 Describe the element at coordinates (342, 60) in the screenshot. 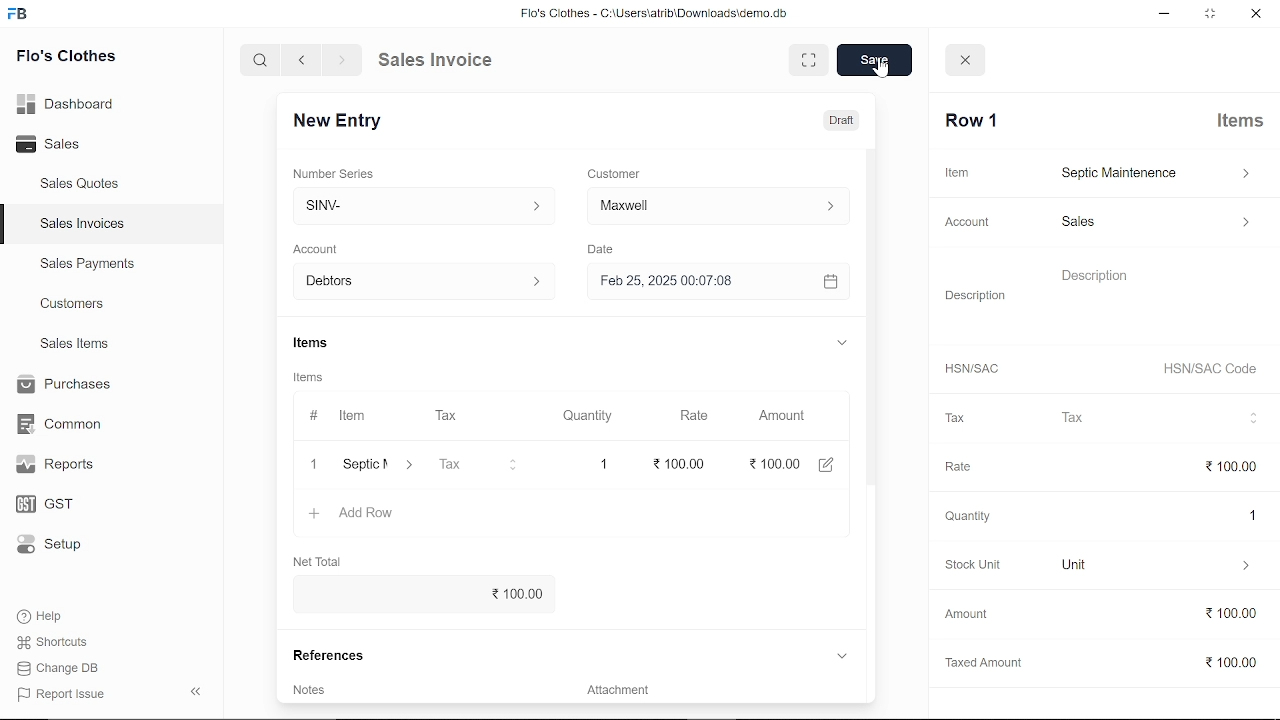

I see `next` at that location.